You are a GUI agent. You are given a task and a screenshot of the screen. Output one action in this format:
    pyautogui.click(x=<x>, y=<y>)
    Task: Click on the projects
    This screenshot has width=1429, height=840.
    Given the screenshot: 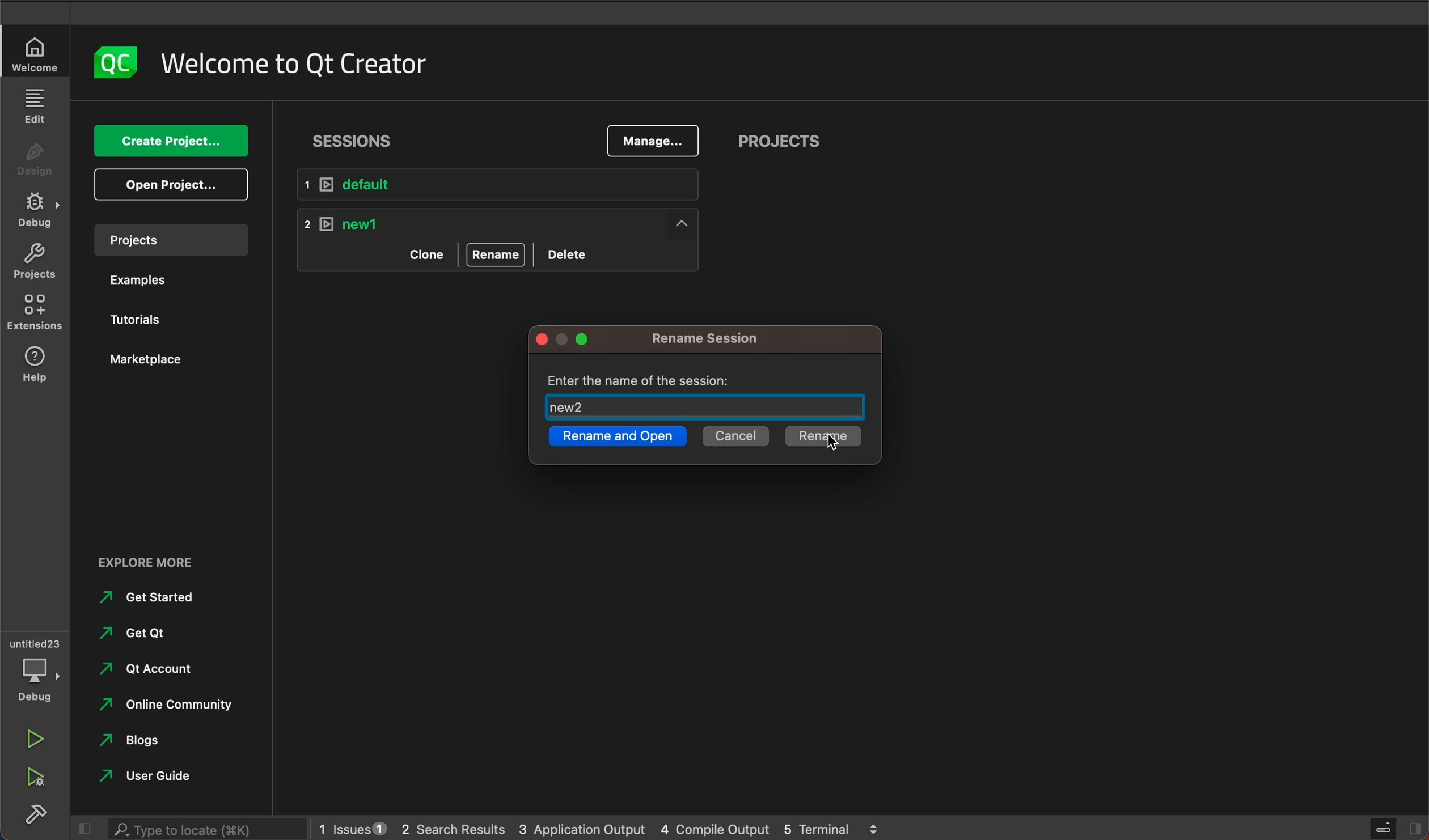 What is the action you would take?
    pyautogui.click(x=167, y=239)
    